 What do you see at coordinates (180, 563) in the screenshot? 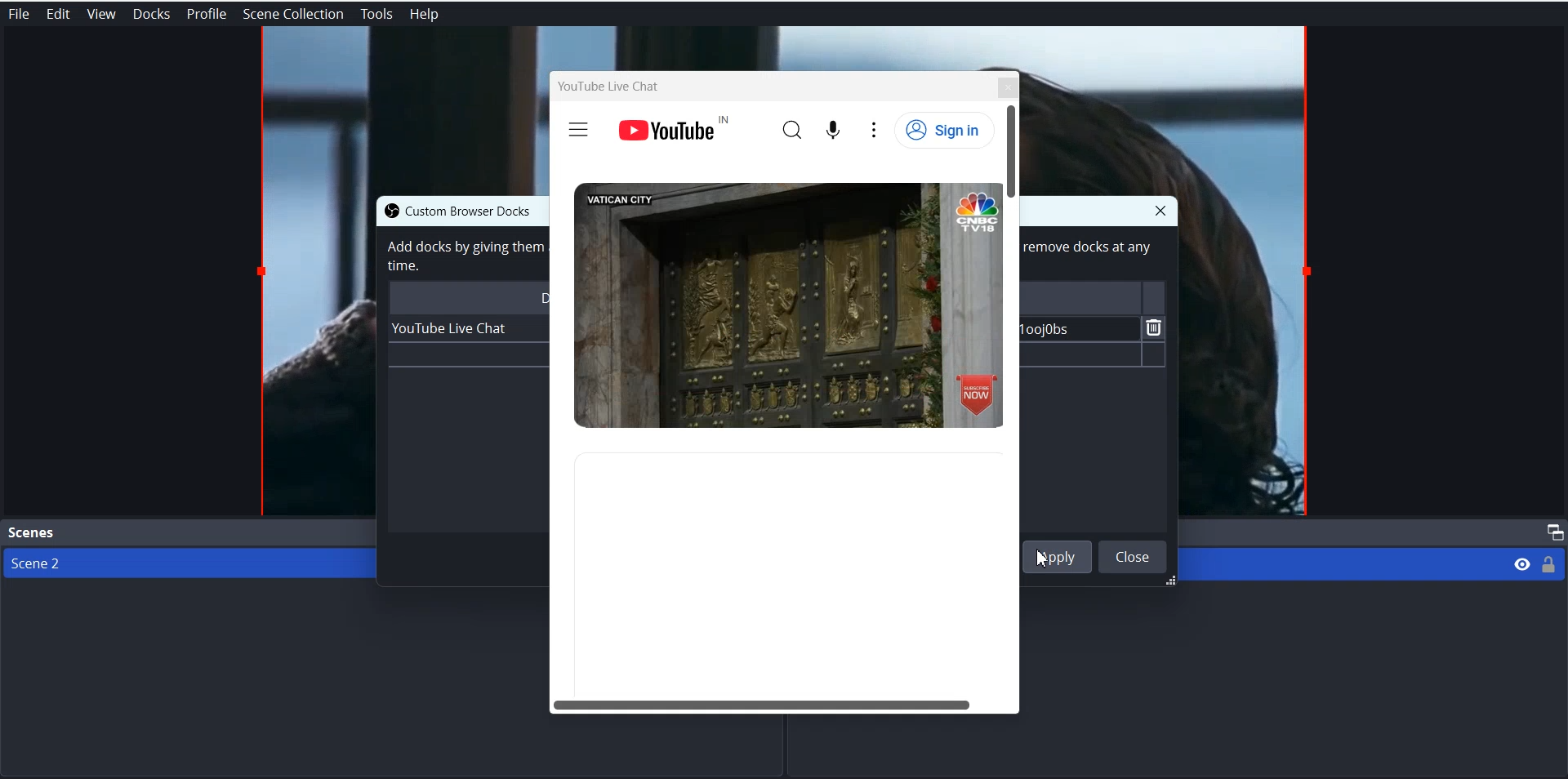
I see `Scene 2` at bounding box center [180, 563].